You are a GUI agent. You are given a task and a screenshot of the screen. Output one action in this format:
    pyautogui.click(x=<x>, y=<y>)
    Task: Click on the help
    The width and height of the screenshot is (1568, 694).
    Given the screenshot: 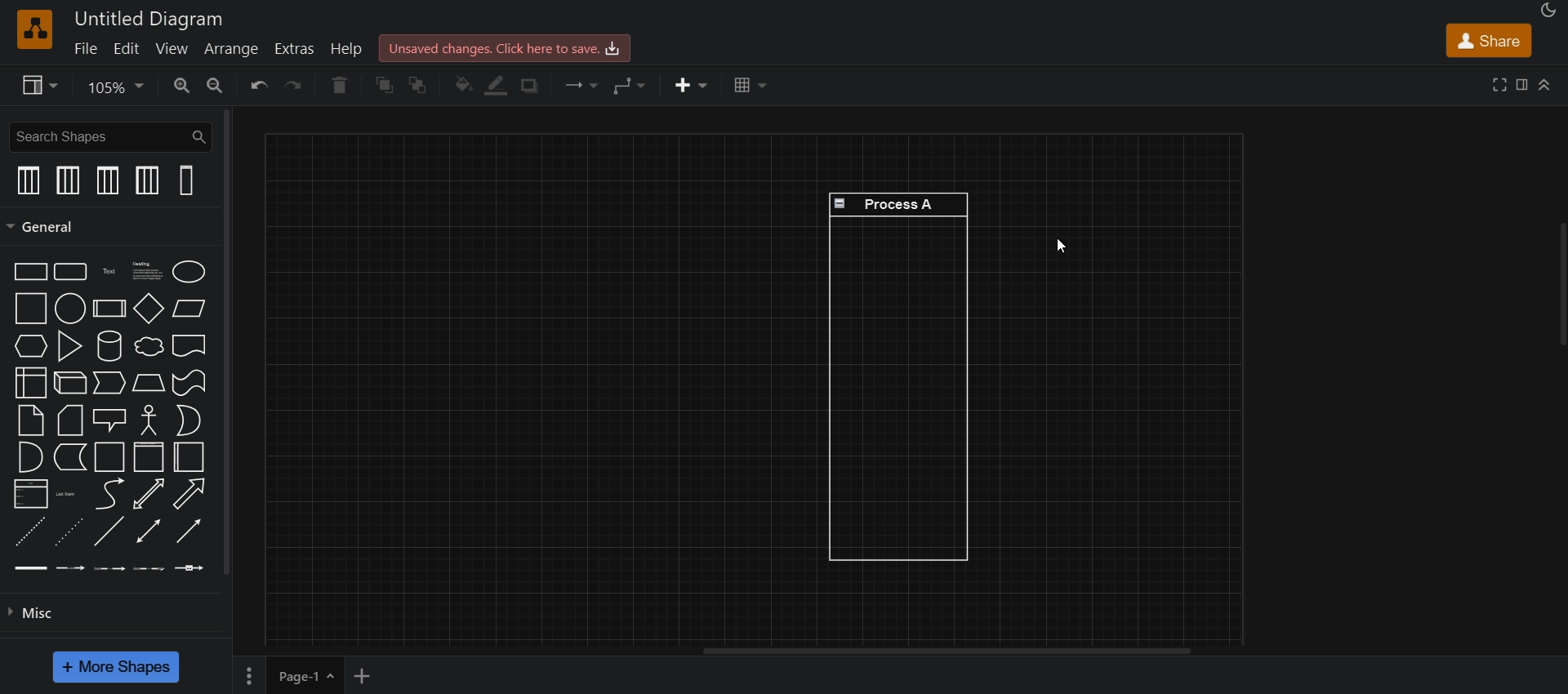 What is the action you would take?
    pyautogui.click(x=348, y=46)
    